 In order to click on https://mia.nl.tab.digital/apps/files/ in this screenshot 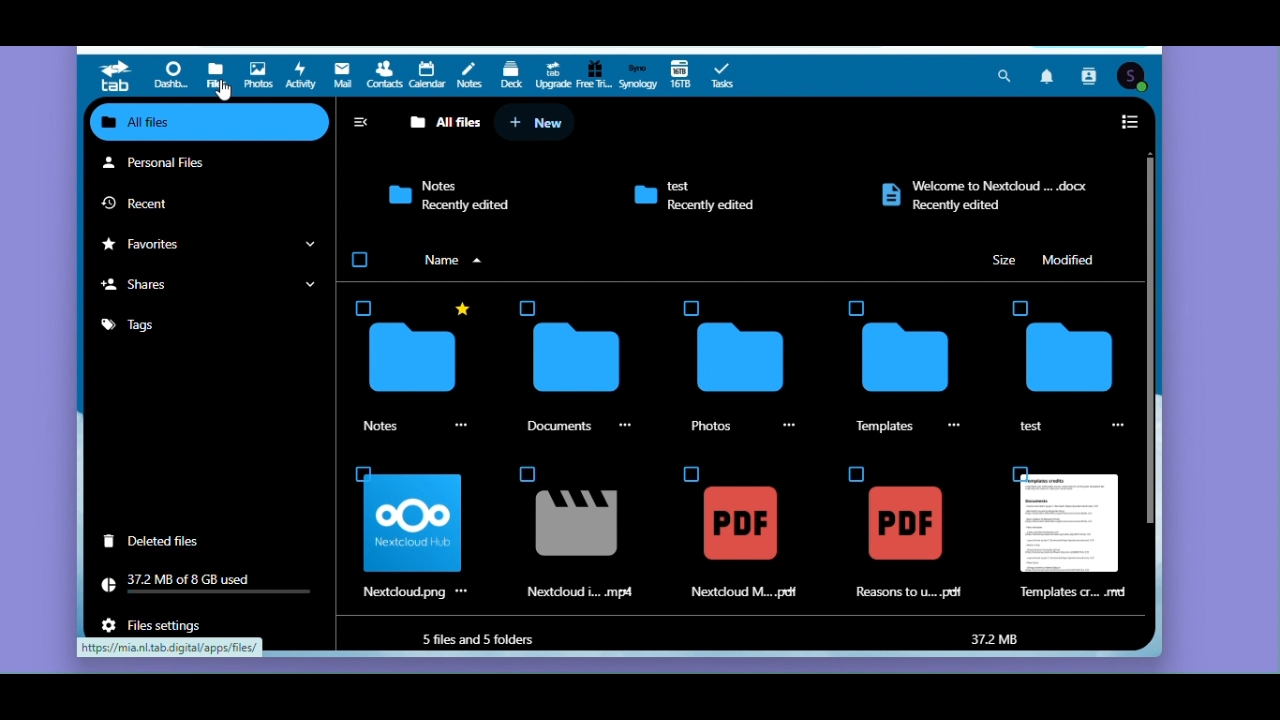, I will do `click(173, 650)`.